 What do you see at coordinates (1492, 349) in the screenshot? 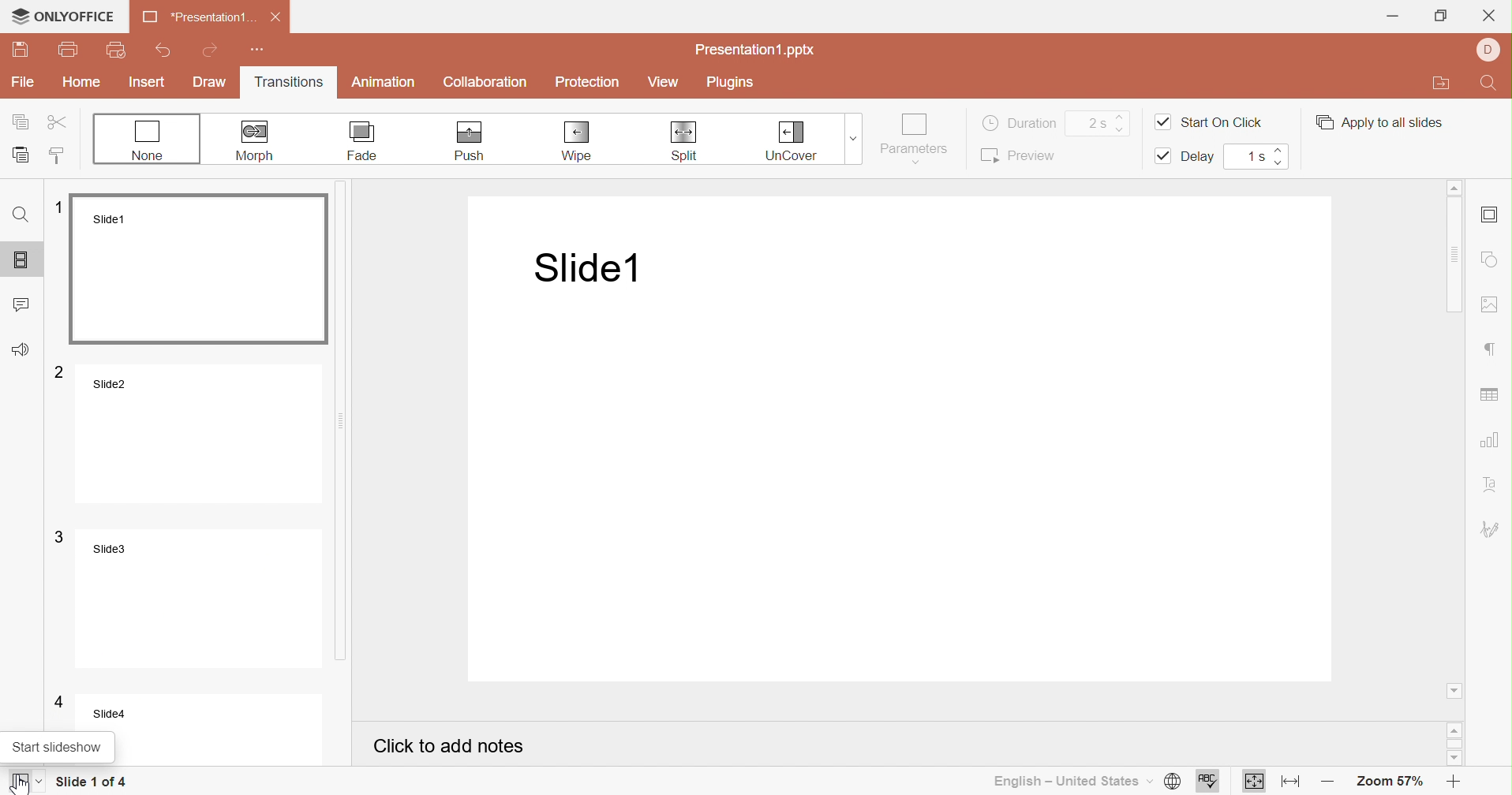
I see `Paragraph settings` at bounding box center [1492, 349].